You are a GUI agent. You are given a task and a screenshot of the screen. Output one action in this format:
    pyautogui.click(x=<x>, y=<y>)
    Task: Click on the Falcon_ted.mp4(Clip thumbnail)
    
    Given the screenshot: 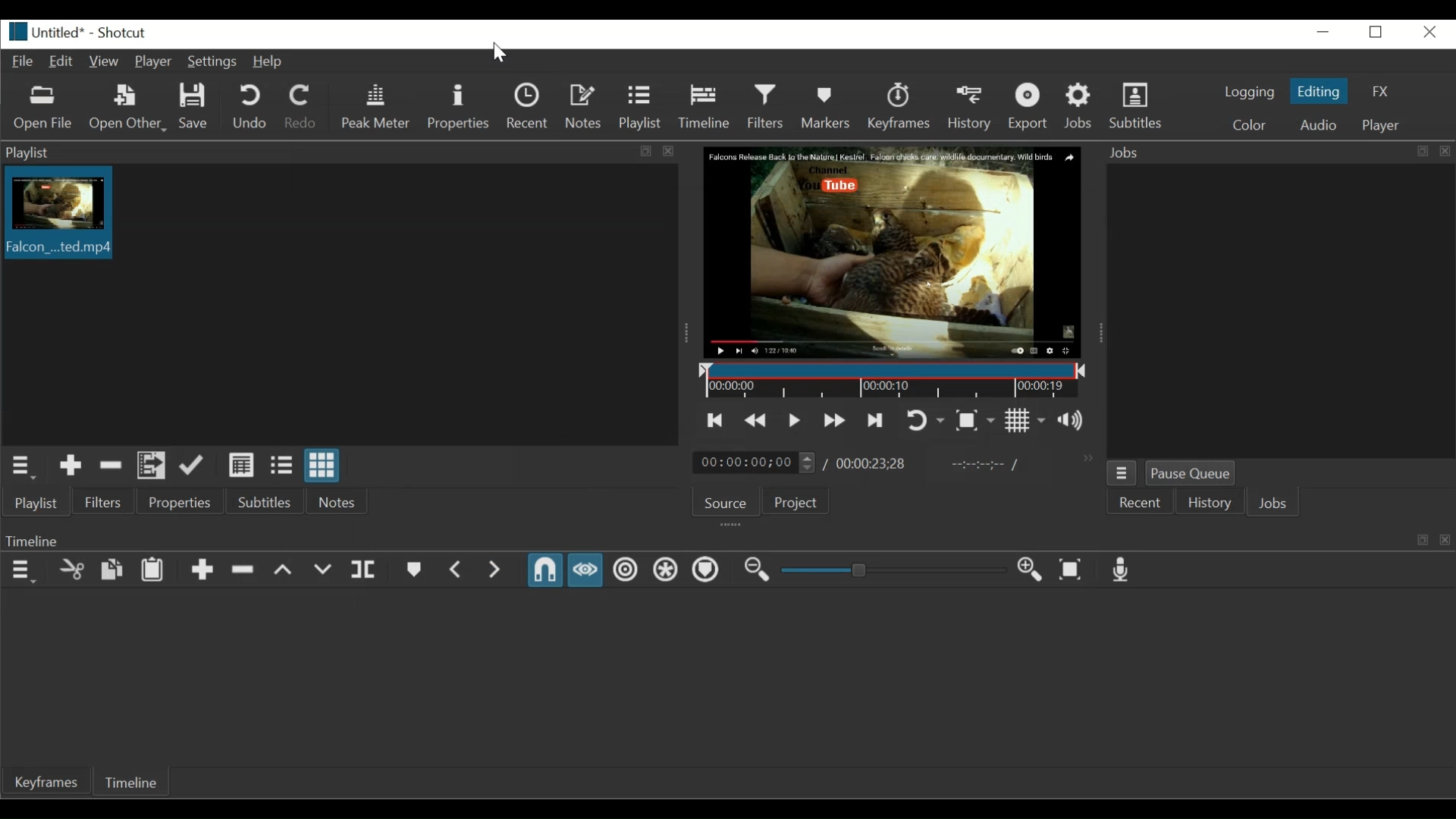 What is the action you would take?
    pyautogui.click(x=55, y=212)
    